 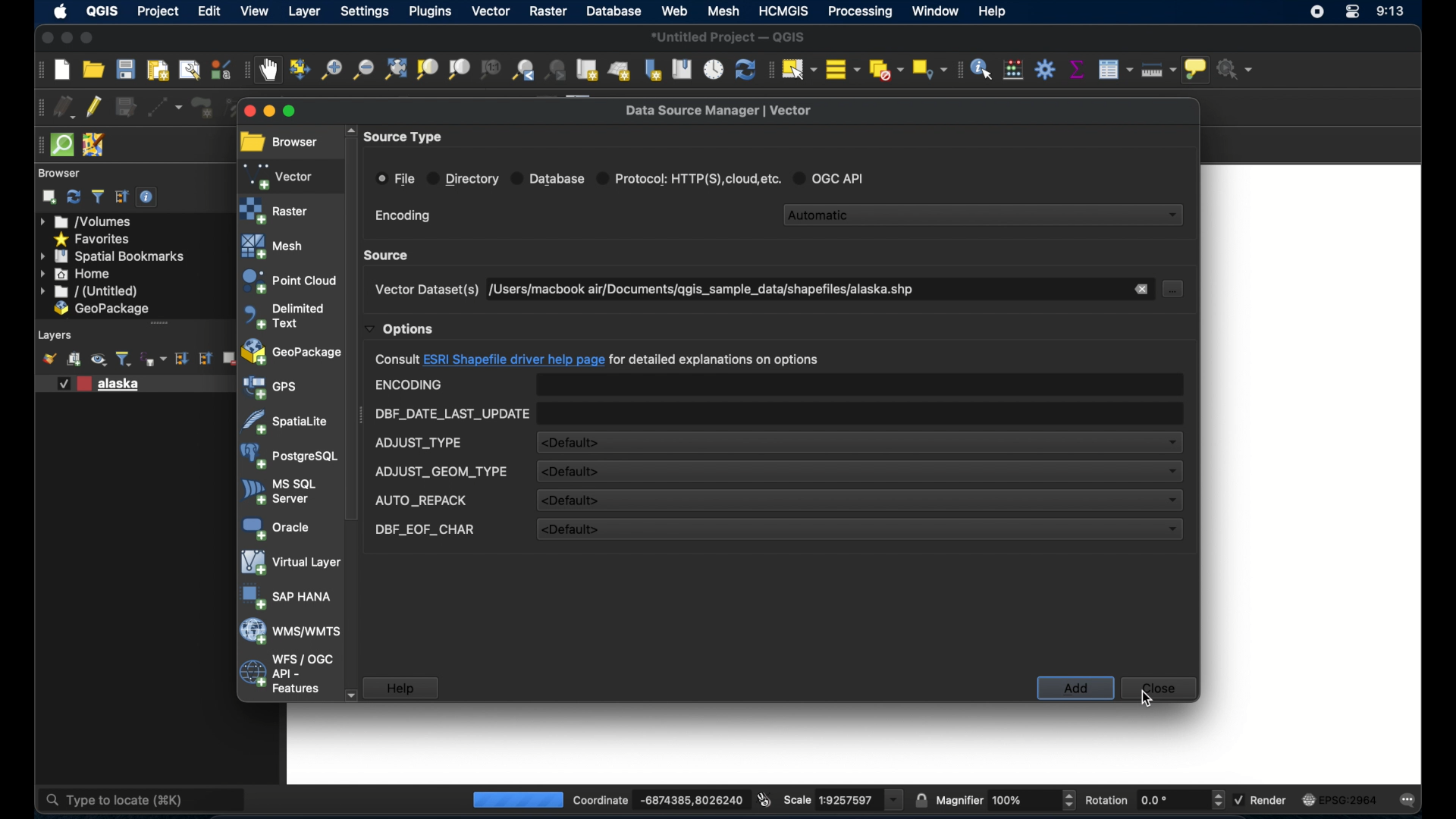 What do you see at coordinates (67, 39) in the screenshot?
I see `minimize` at bounding box center [67, 39].